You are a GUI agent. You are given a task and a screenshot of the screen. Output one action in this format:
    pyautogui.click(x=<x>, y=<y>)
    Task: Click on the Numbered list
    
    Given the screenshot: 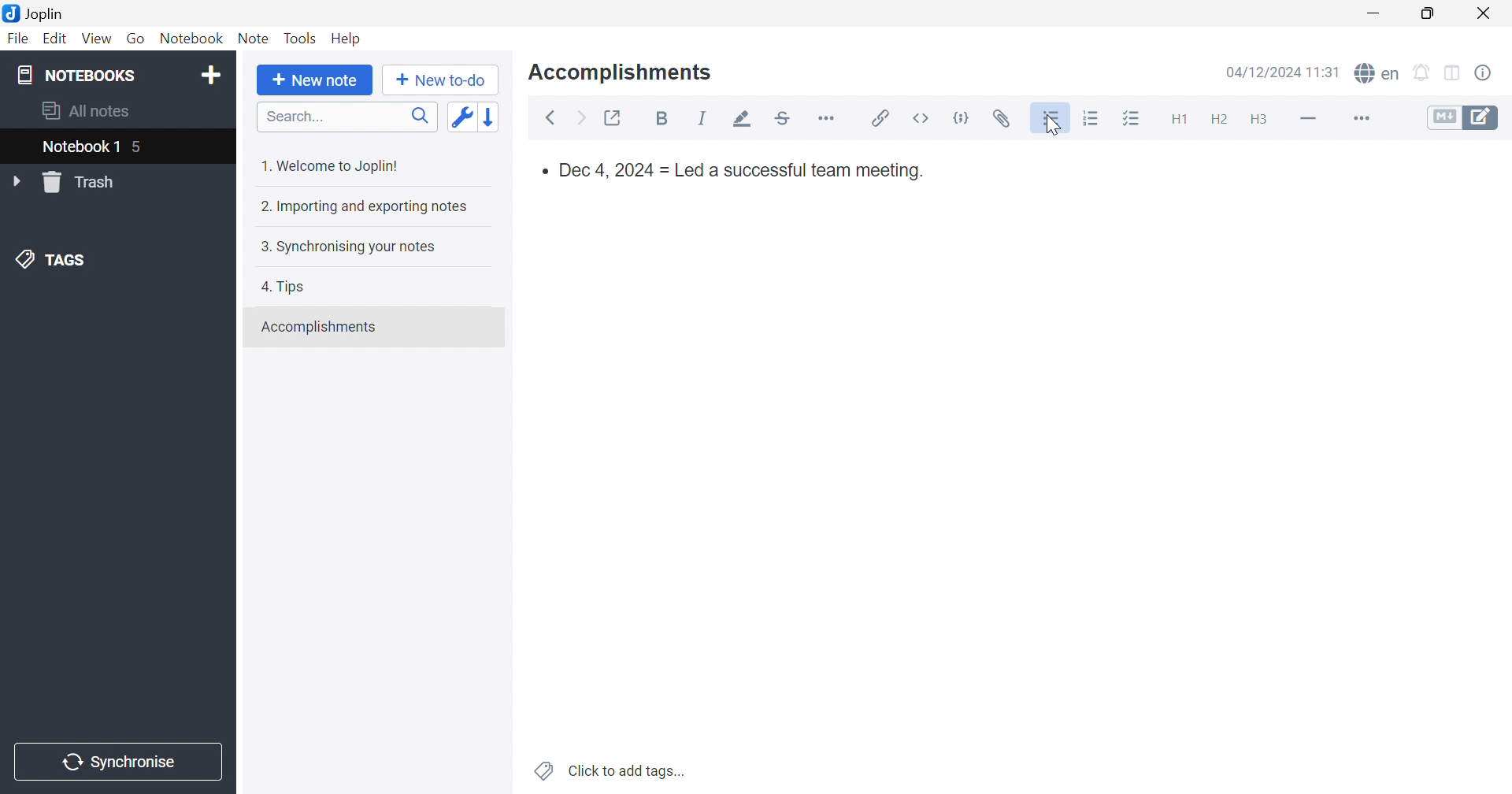 What is the action you would take?
    pyautogui.click(x=1090, y=118)
    